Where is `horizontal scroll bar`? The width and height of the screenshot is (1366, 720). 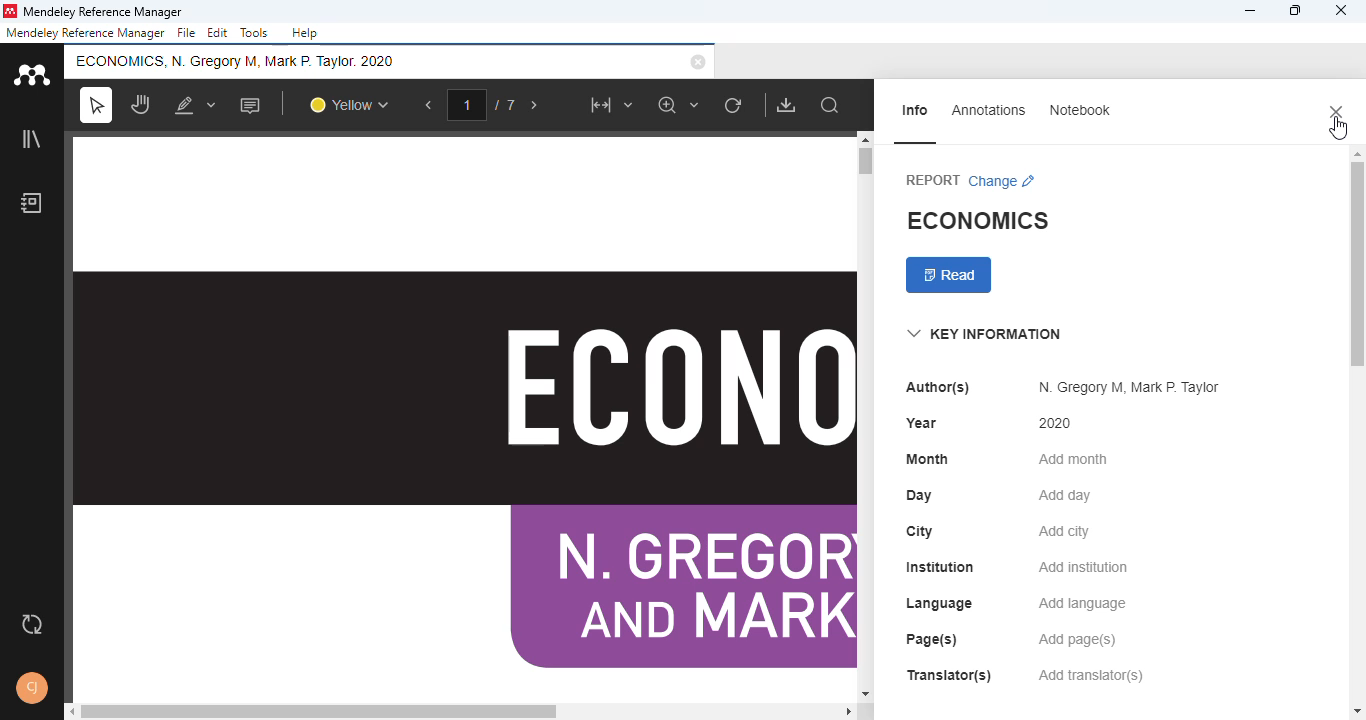
horizontal scroll bar is located at coordinates (319, 711).